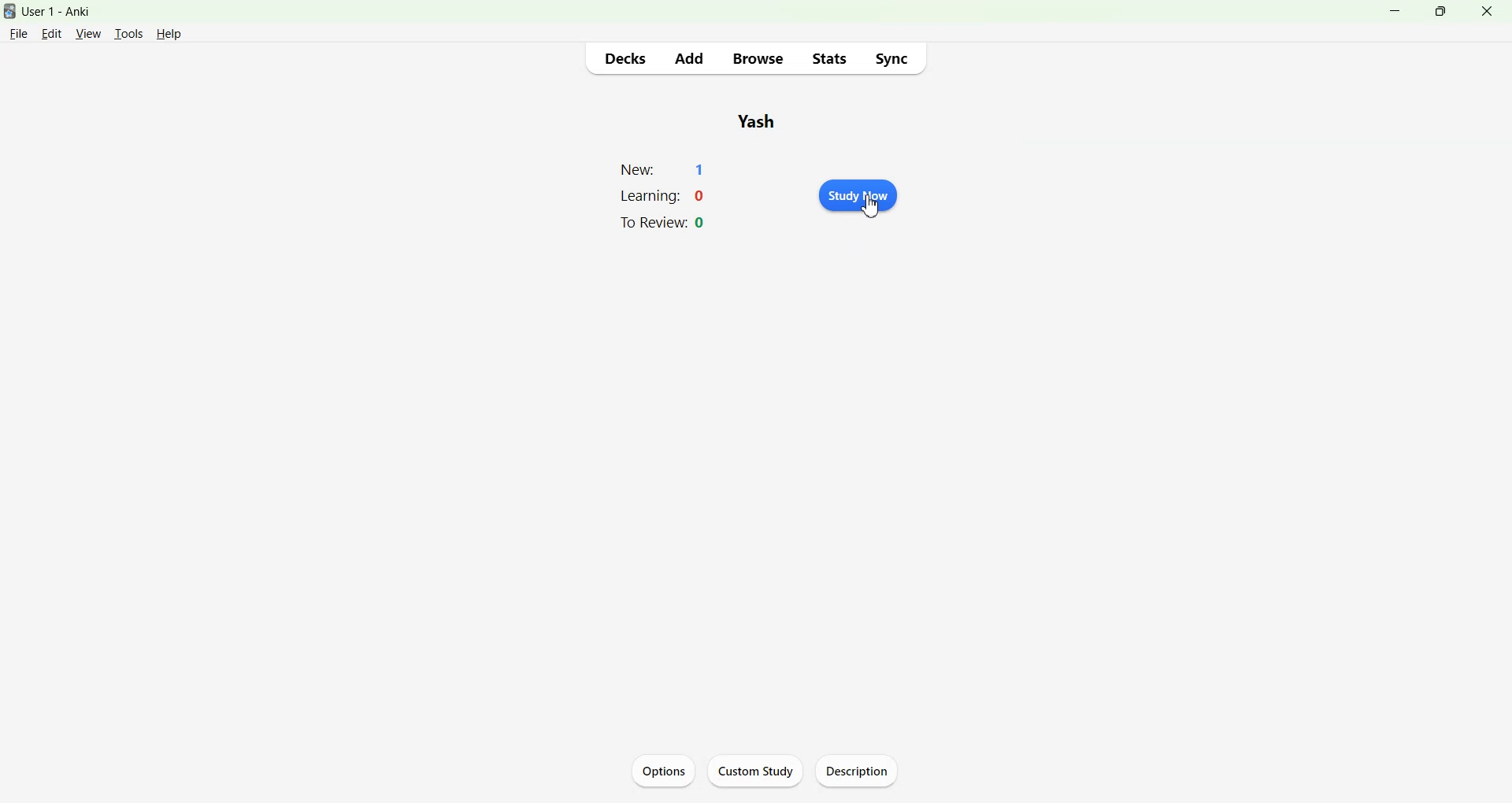  Describe the element at coordinates (857, 196) in the screenshot. I see `Study Now` at that location.